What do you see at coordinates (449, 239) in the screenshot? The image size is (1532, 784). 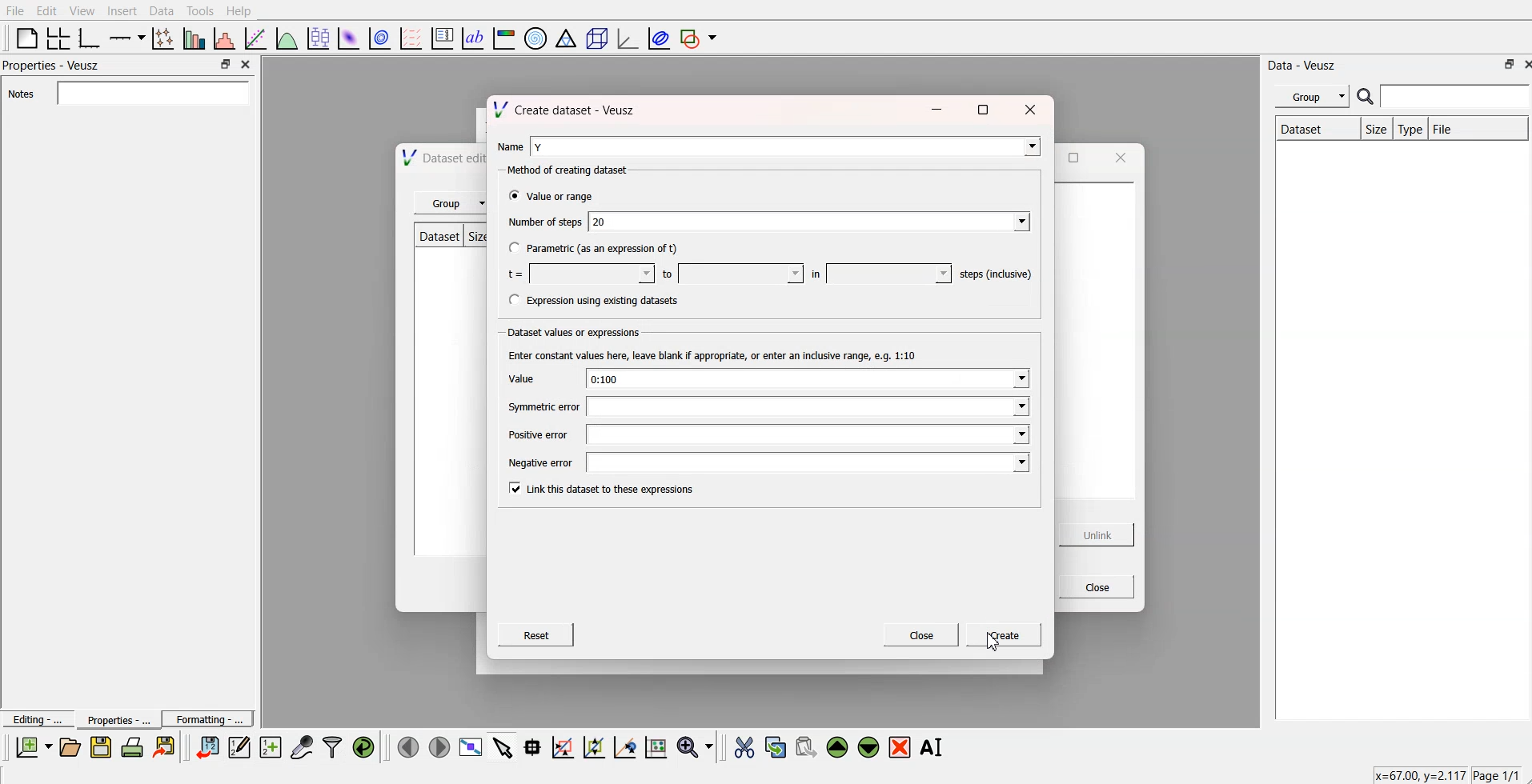 I see `Dataset | Siz` at bounding box center [449, 239].